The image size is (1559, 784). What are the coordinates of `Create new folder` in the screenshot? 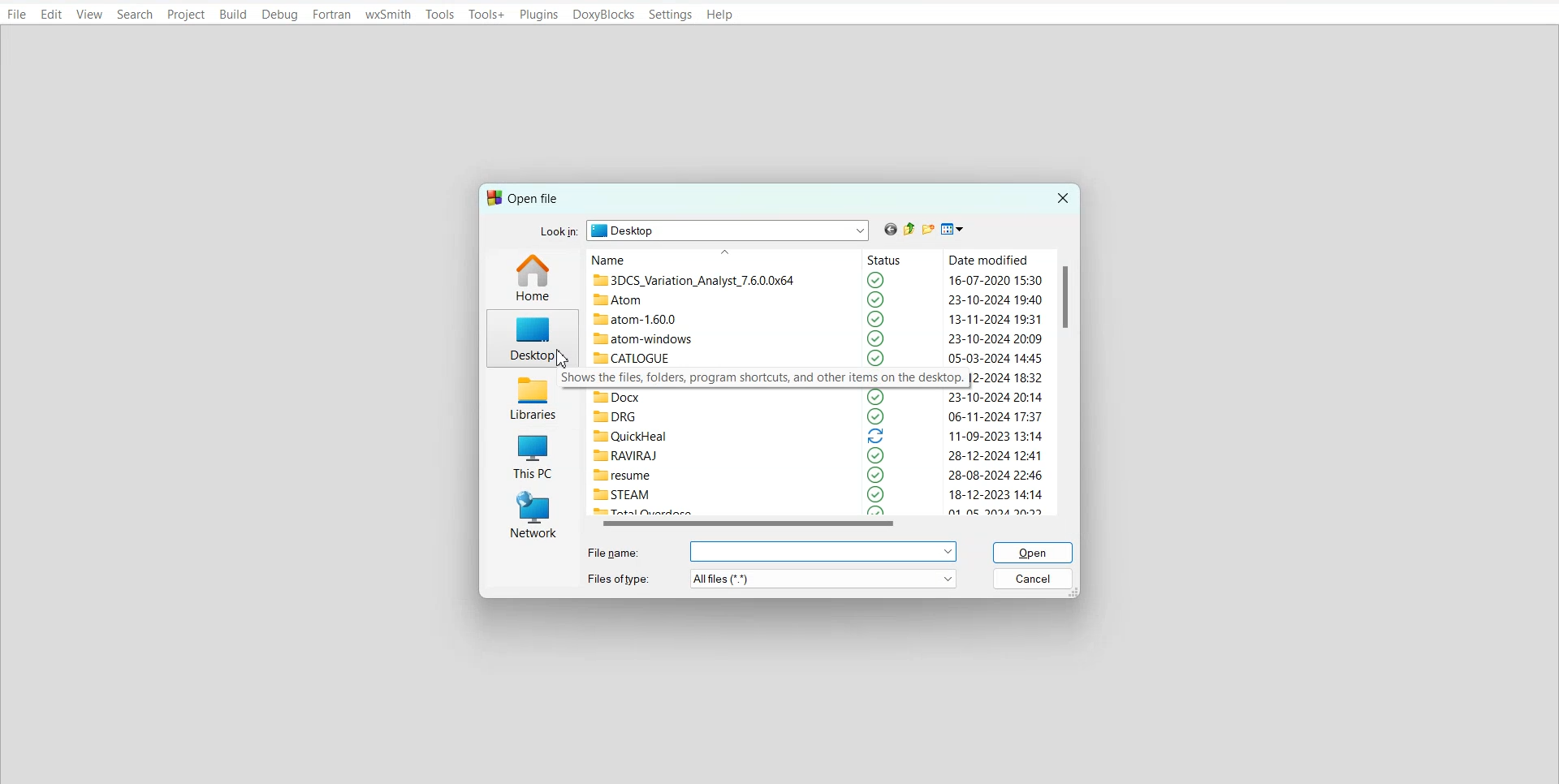 It's located at (930, 230).